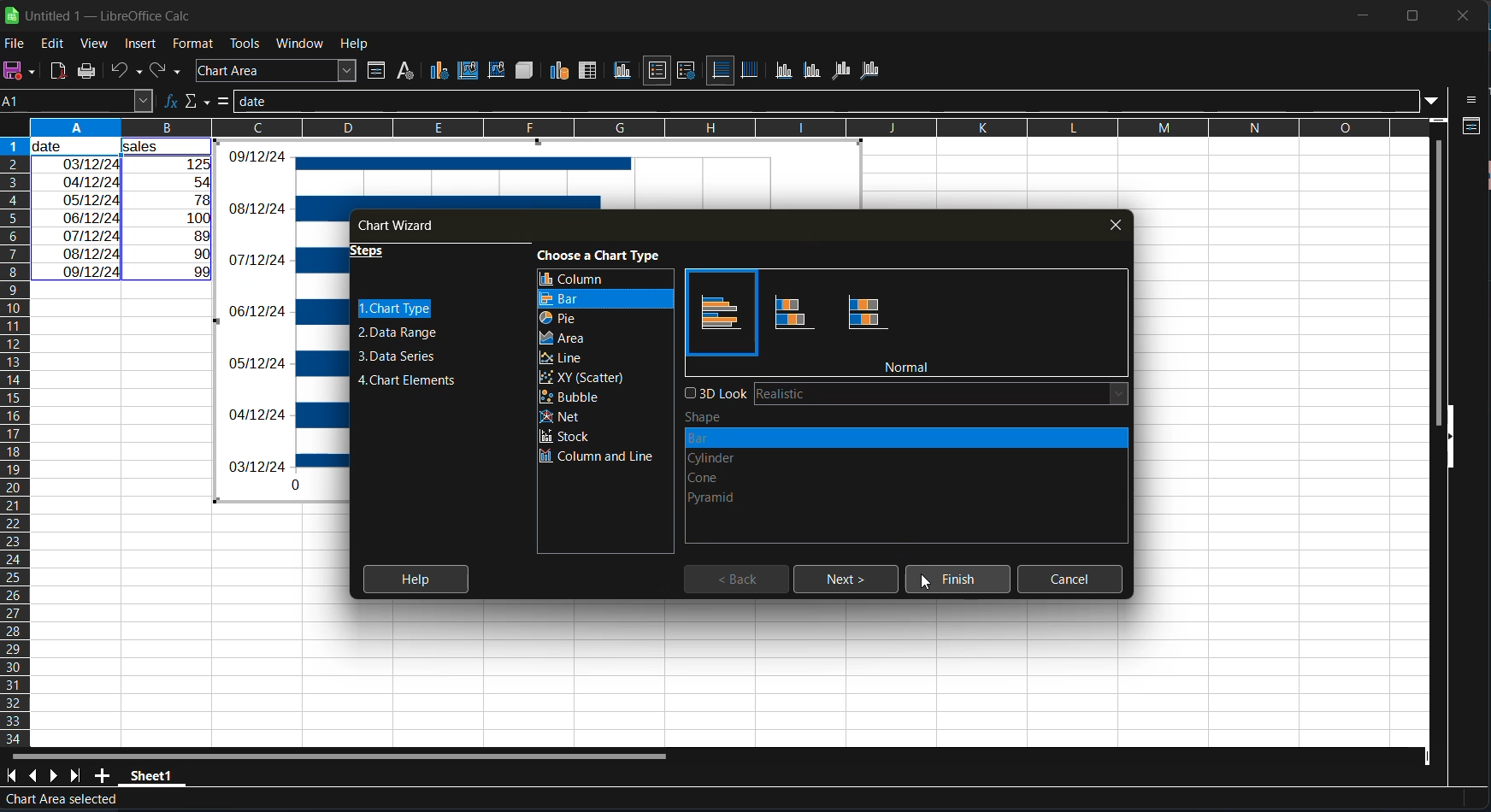 The width and height of the screenshot is (1491, 812). I want to click on insert, so click(142, 43).